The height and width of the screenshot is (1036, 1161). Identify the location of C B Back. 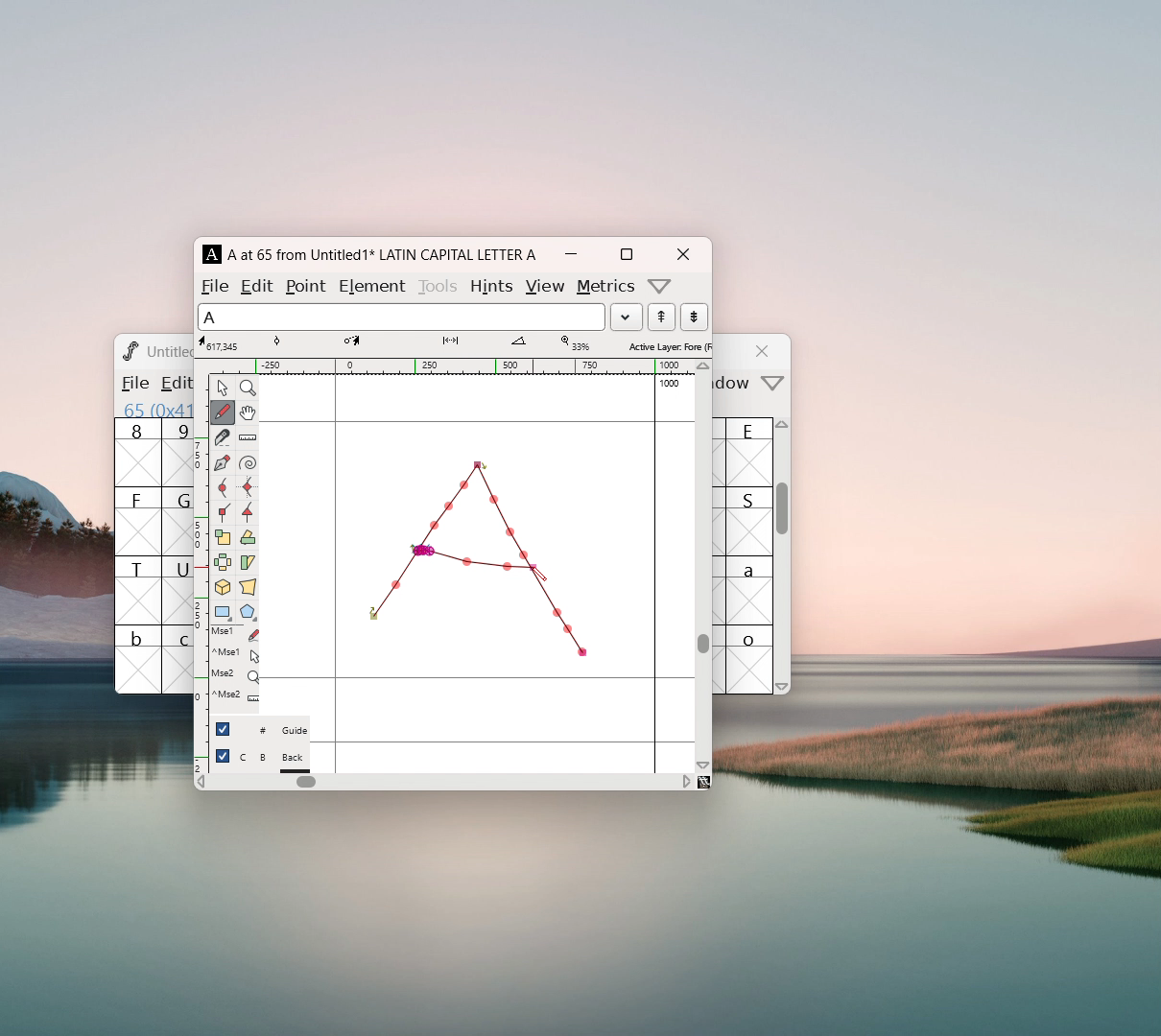
(273, 760).